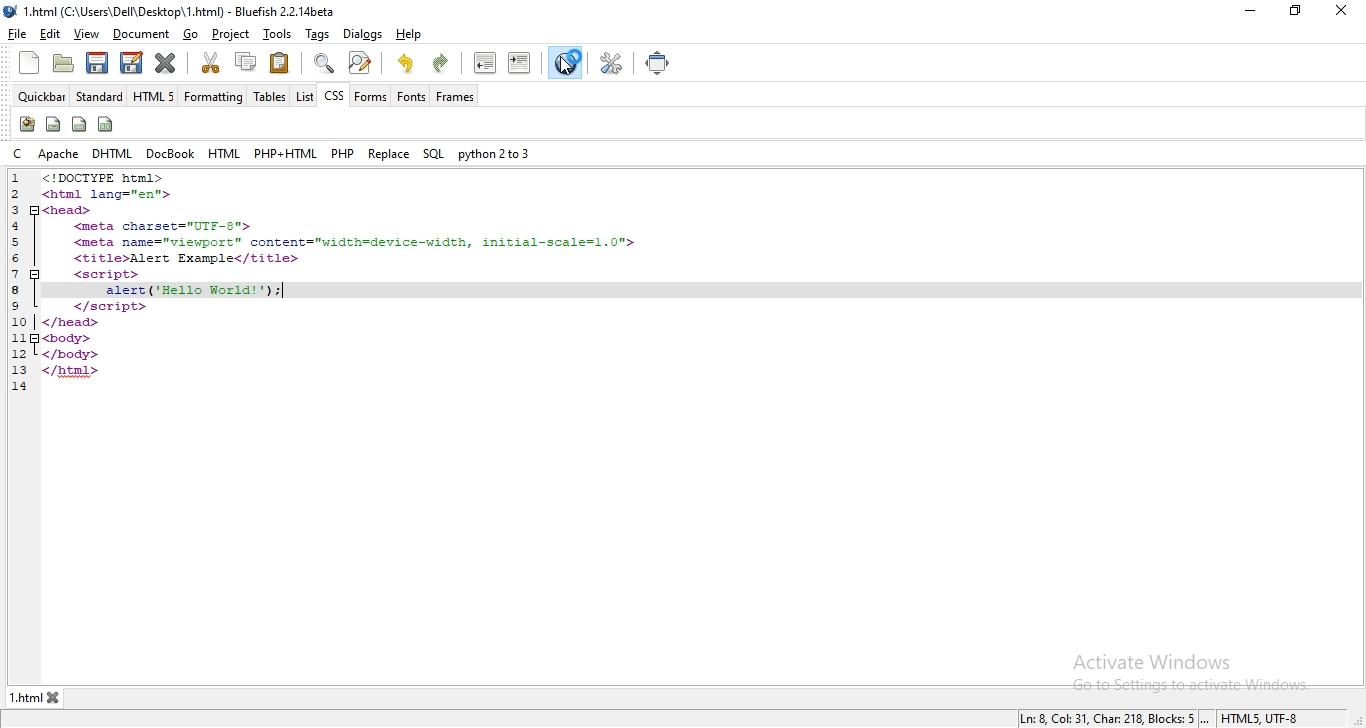 Image resolution: width=1366 pixels, height=728 pixels. I want to click on 12, so click(22, 354).